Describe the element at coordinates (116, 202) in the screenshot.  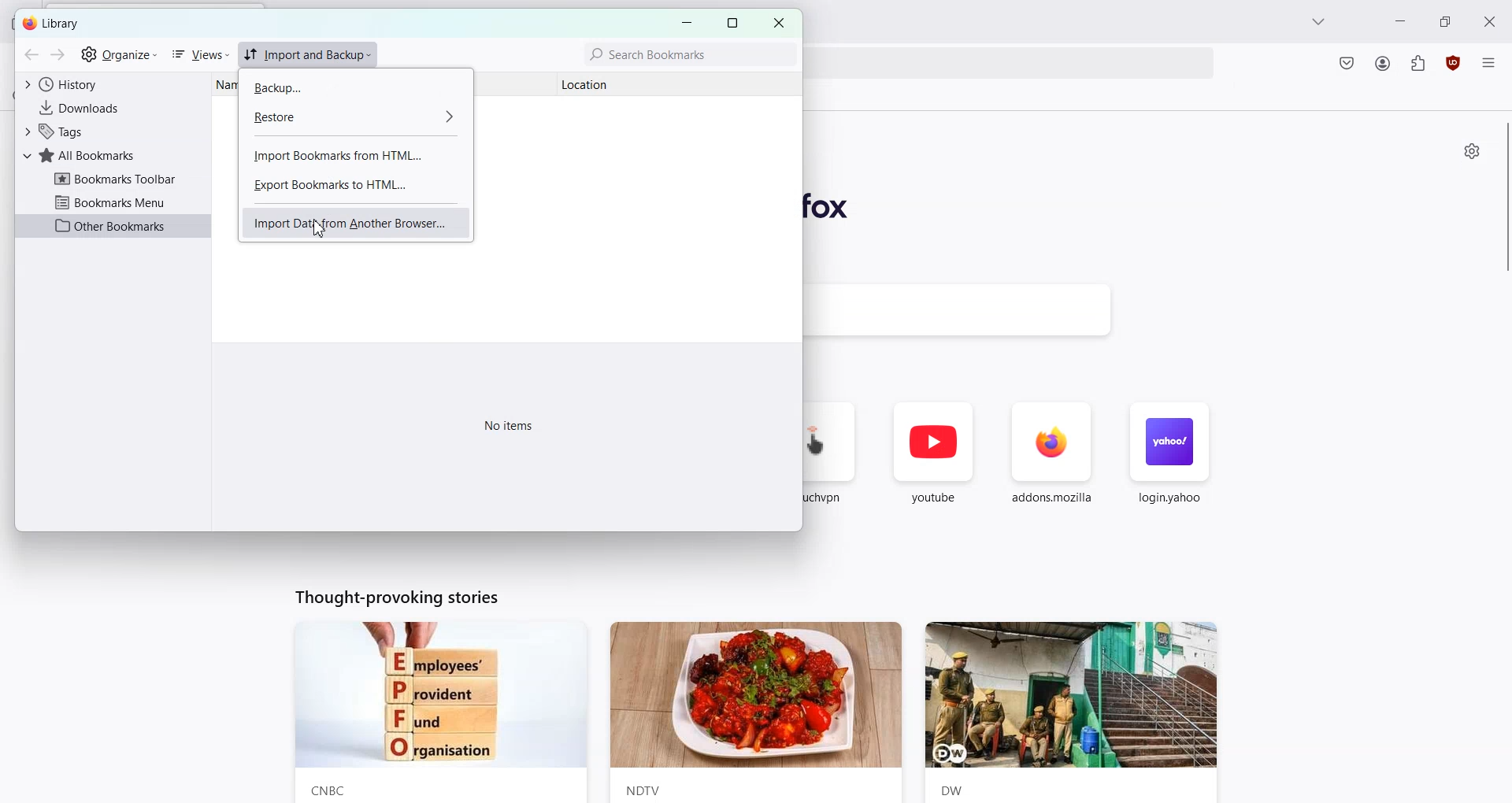
I see `Bookmarks Menu` at that location.